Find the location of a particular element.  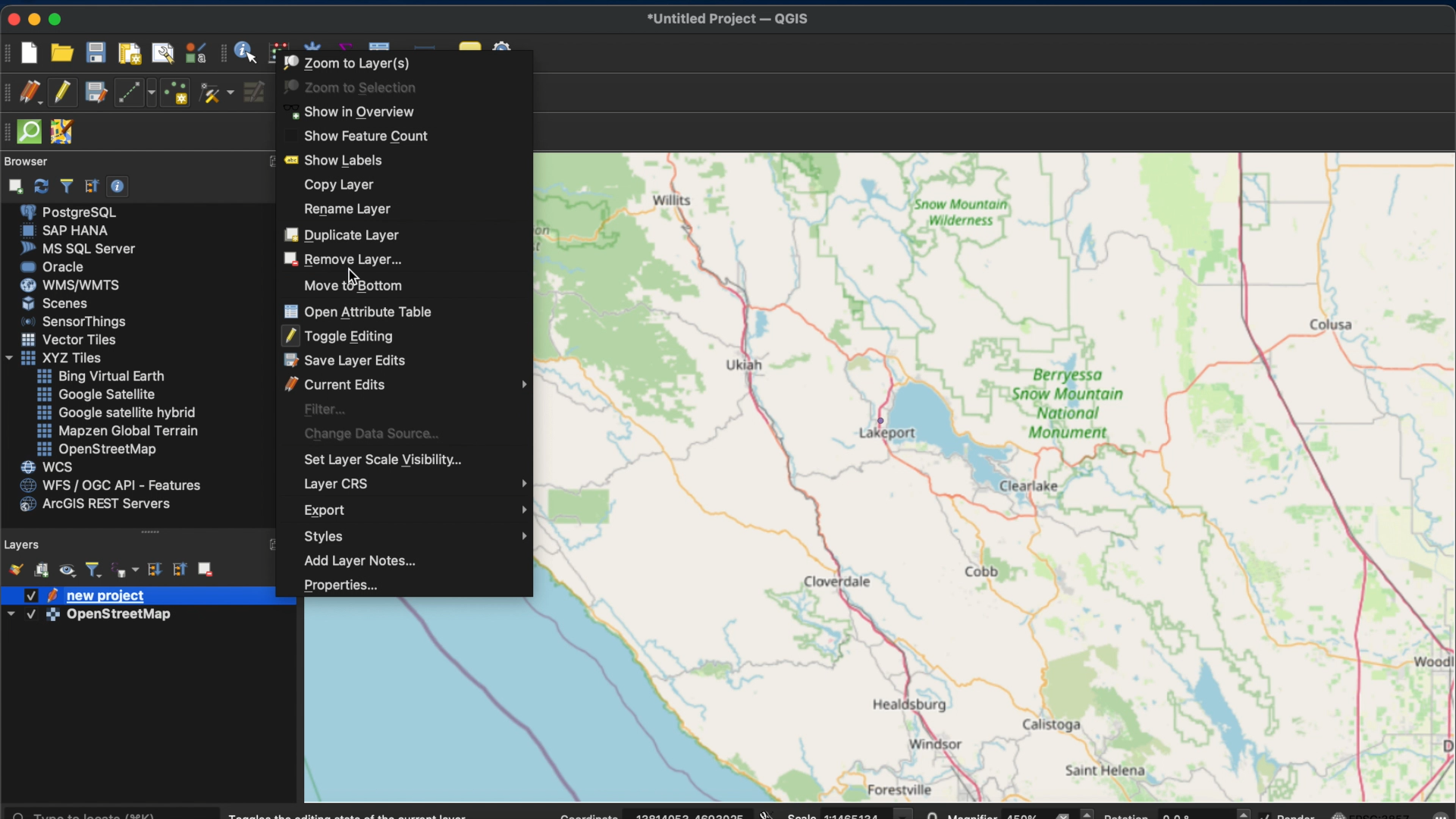

digitize with segment is located at coordinates (134, 93).